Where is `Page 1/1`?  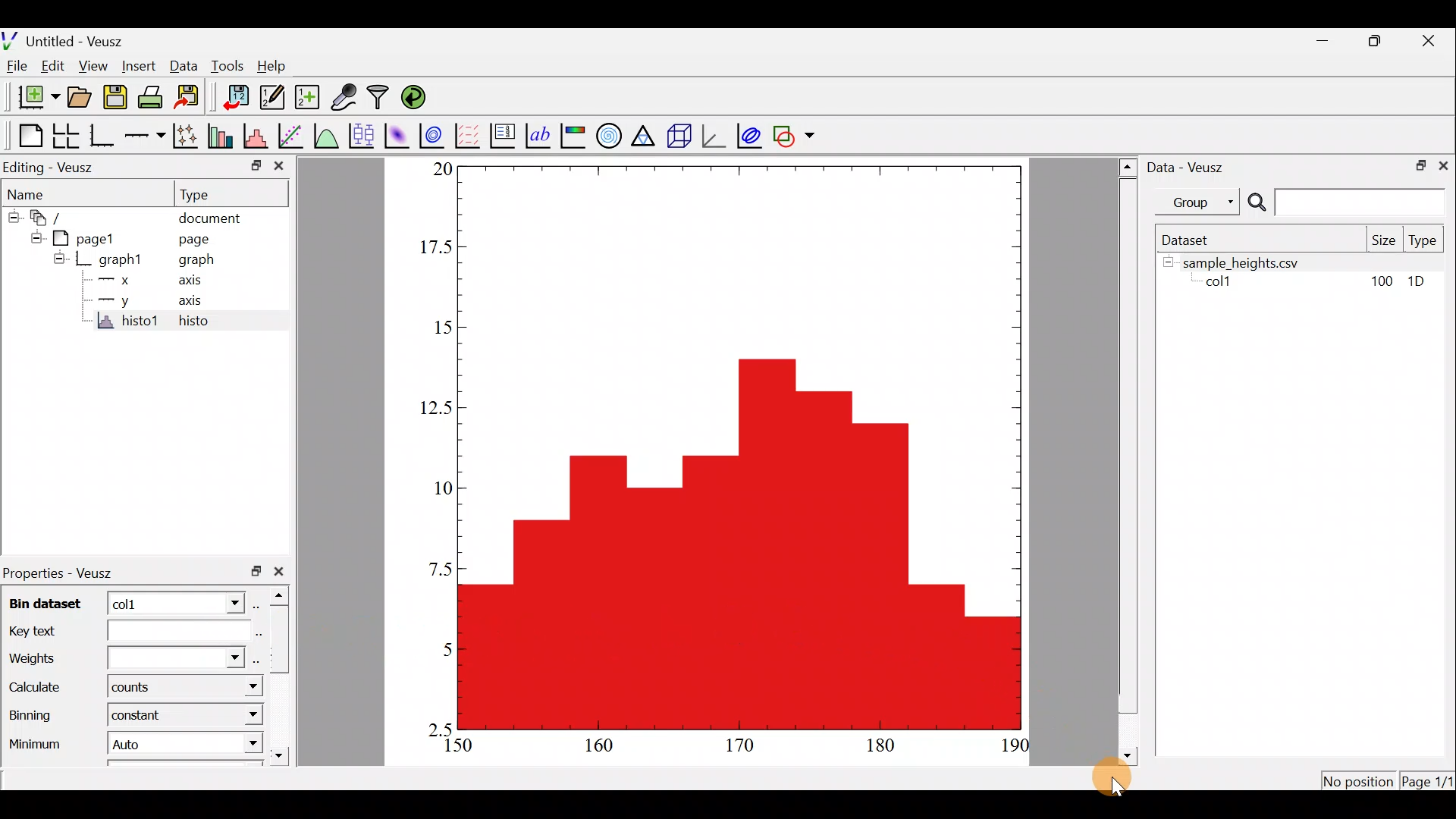
Page 1/1 is located at coordinates (1426, 783).